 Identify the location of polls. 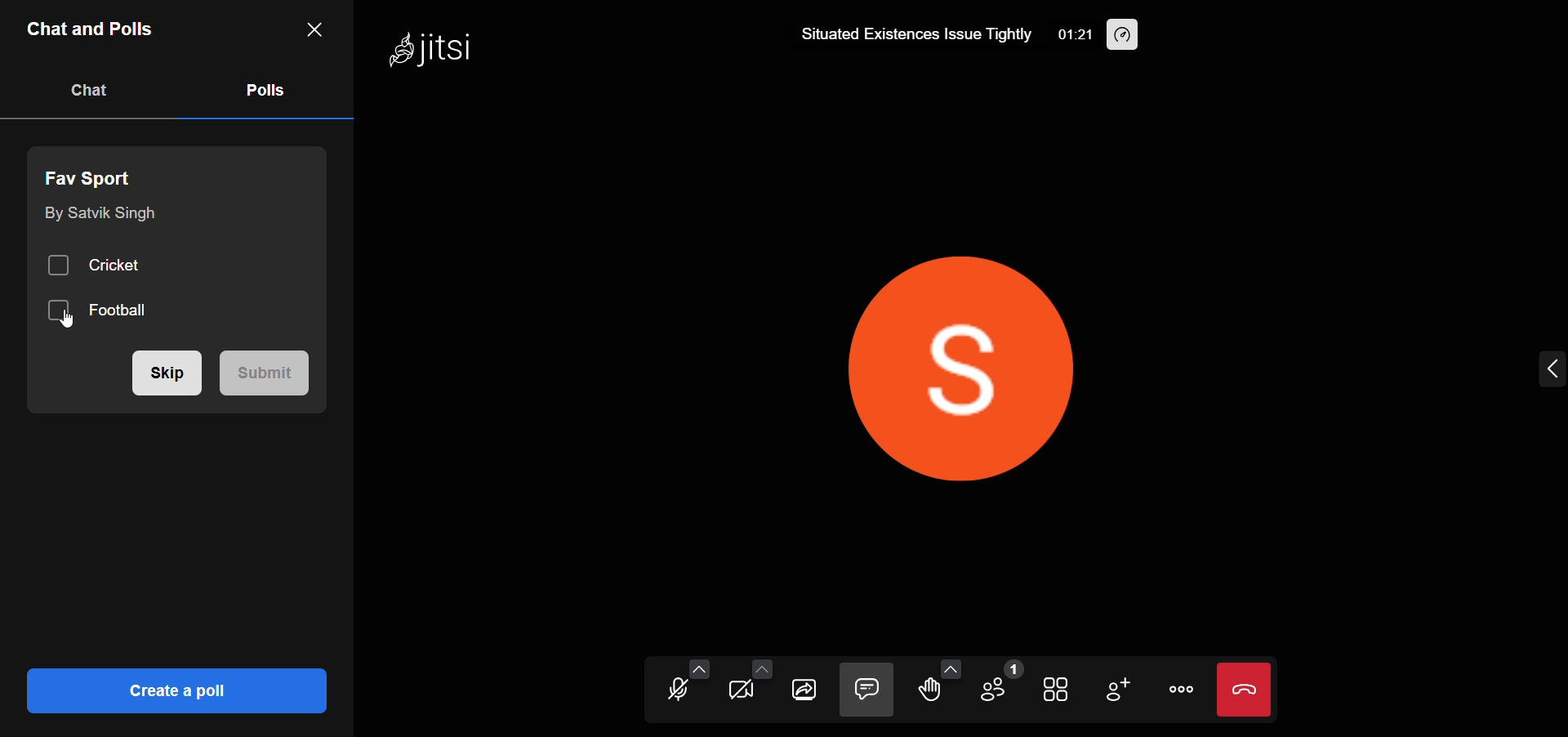
(266, 91).